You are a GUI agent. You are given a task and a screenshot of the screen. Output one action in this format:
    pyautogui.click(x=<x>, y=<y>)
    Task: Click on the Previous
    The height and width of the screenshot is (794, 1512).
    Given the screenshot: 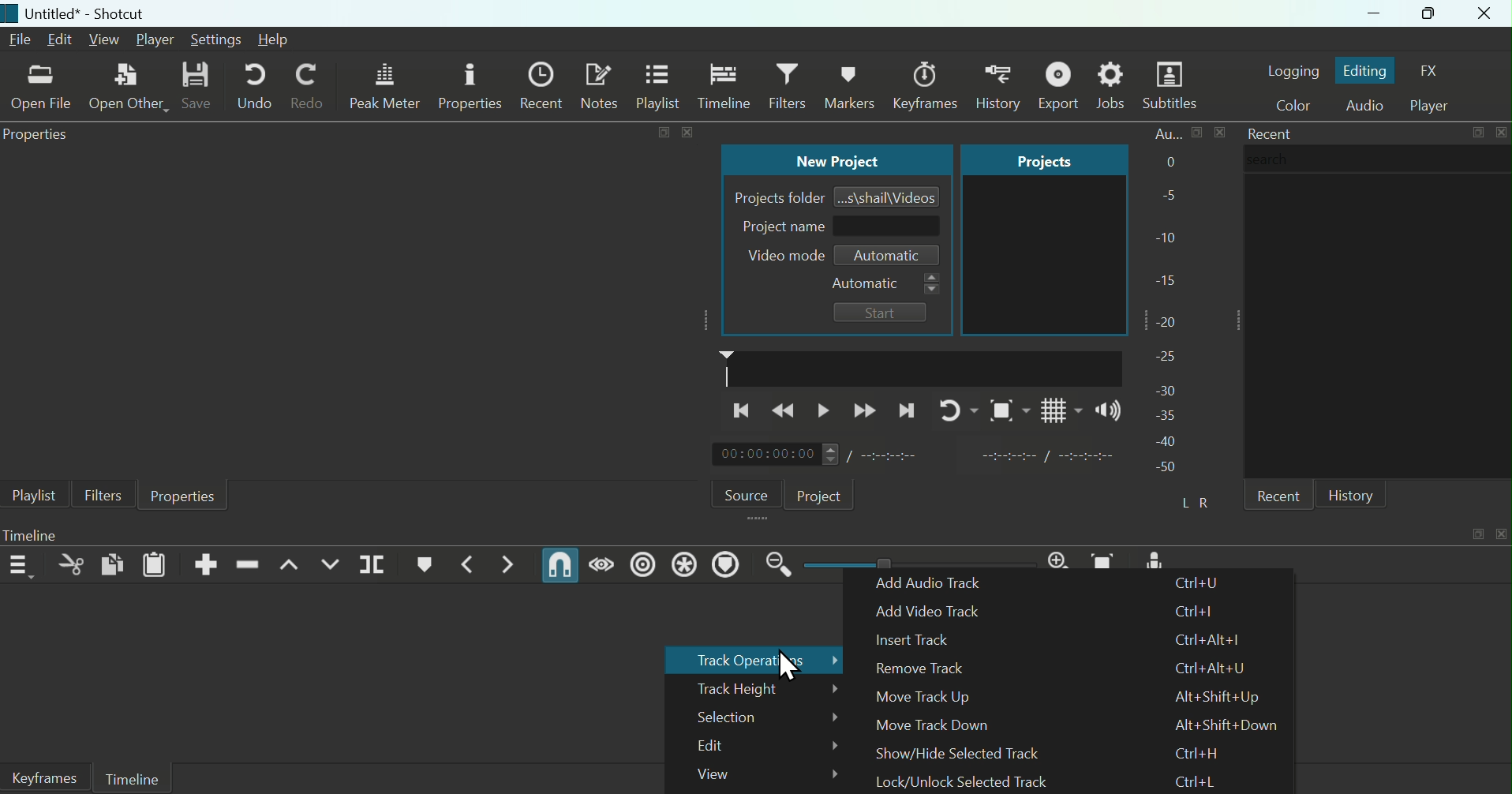 What is the action you would take?
    pyautogui.click(x=741, y=412)
    